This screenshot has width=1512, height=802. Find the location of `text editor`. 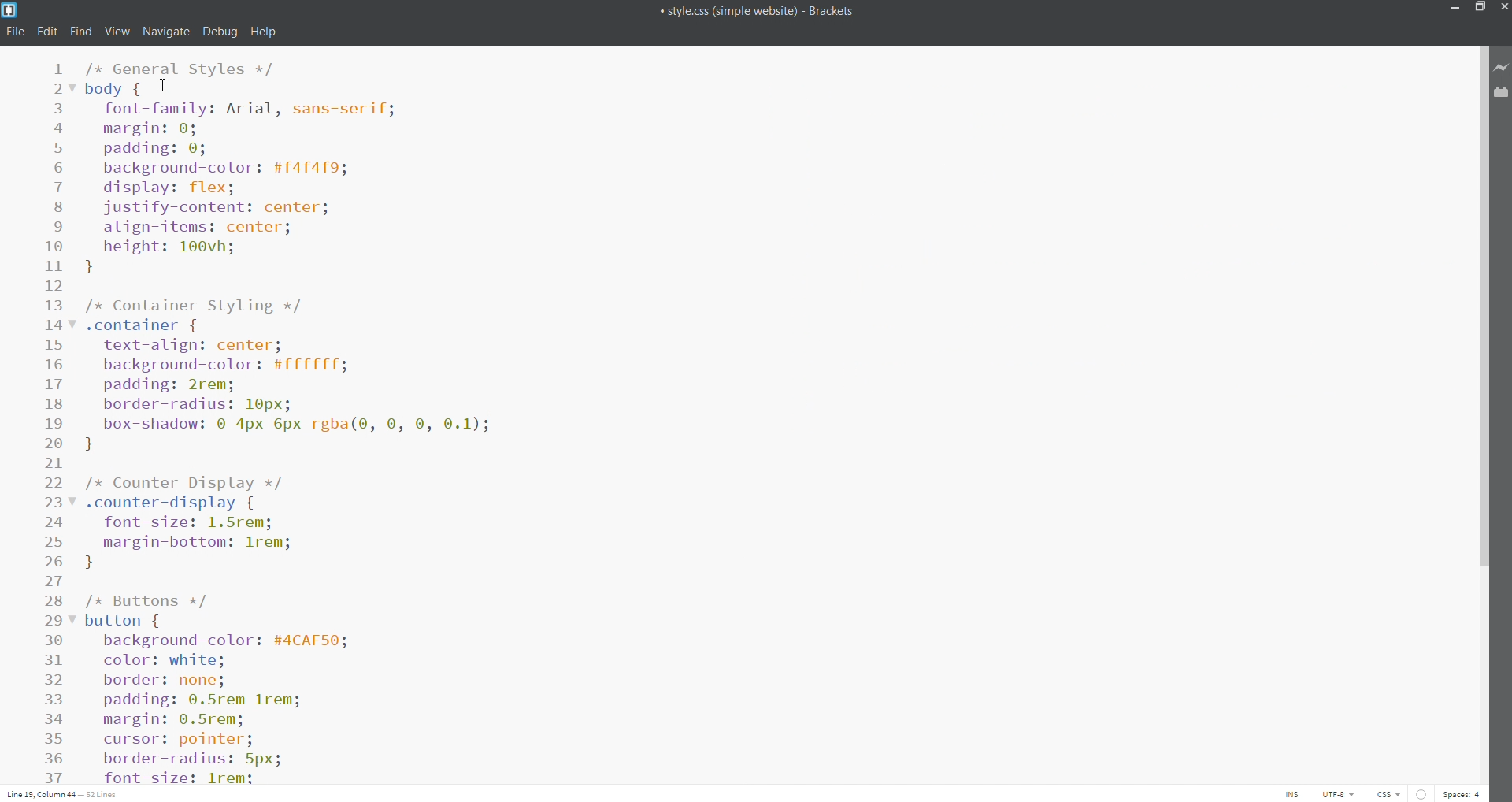

text editor is located at coordinates (782, 418).